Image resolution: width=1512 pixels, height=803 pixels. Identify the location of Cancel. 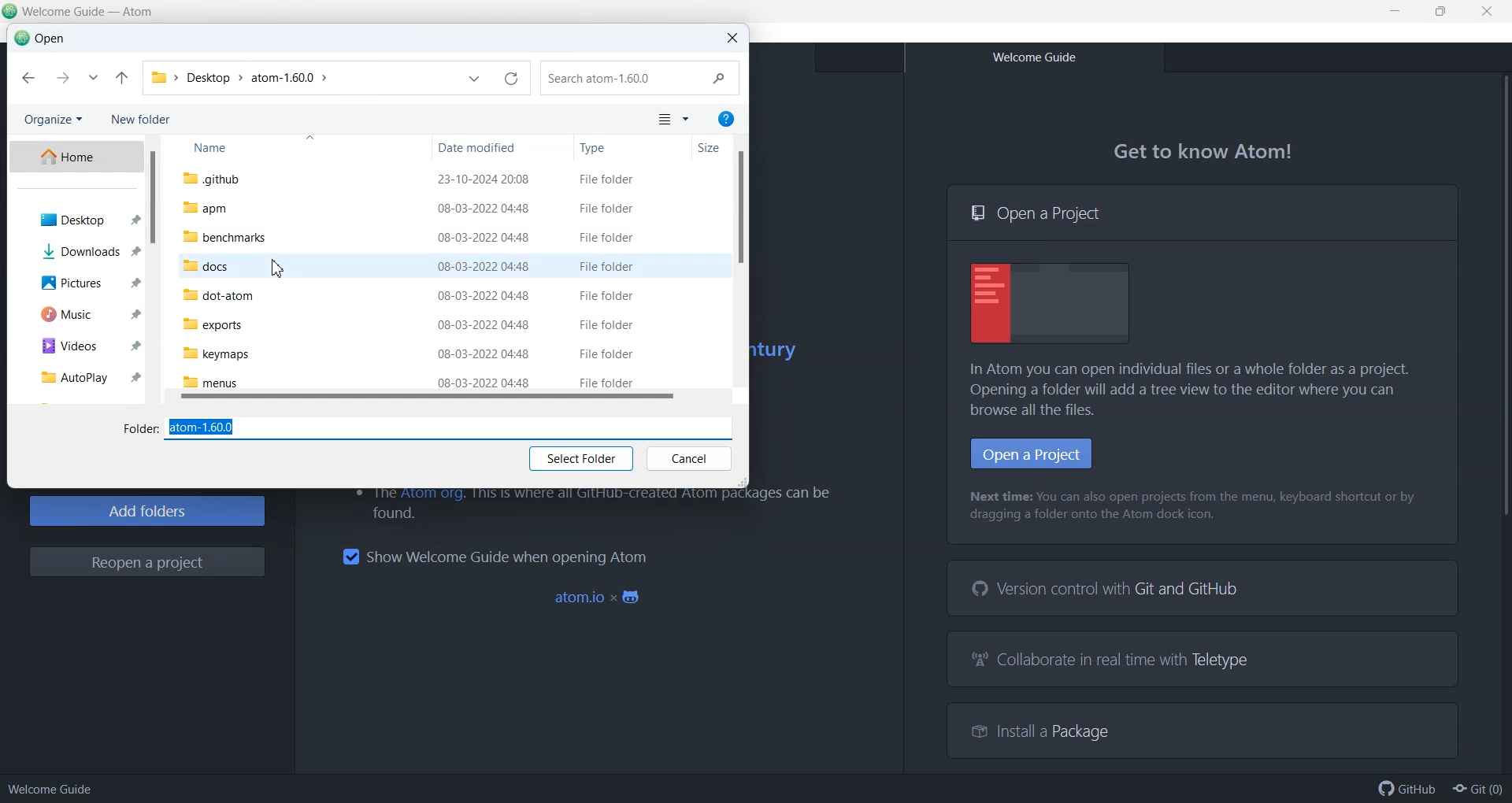
(688, 460).